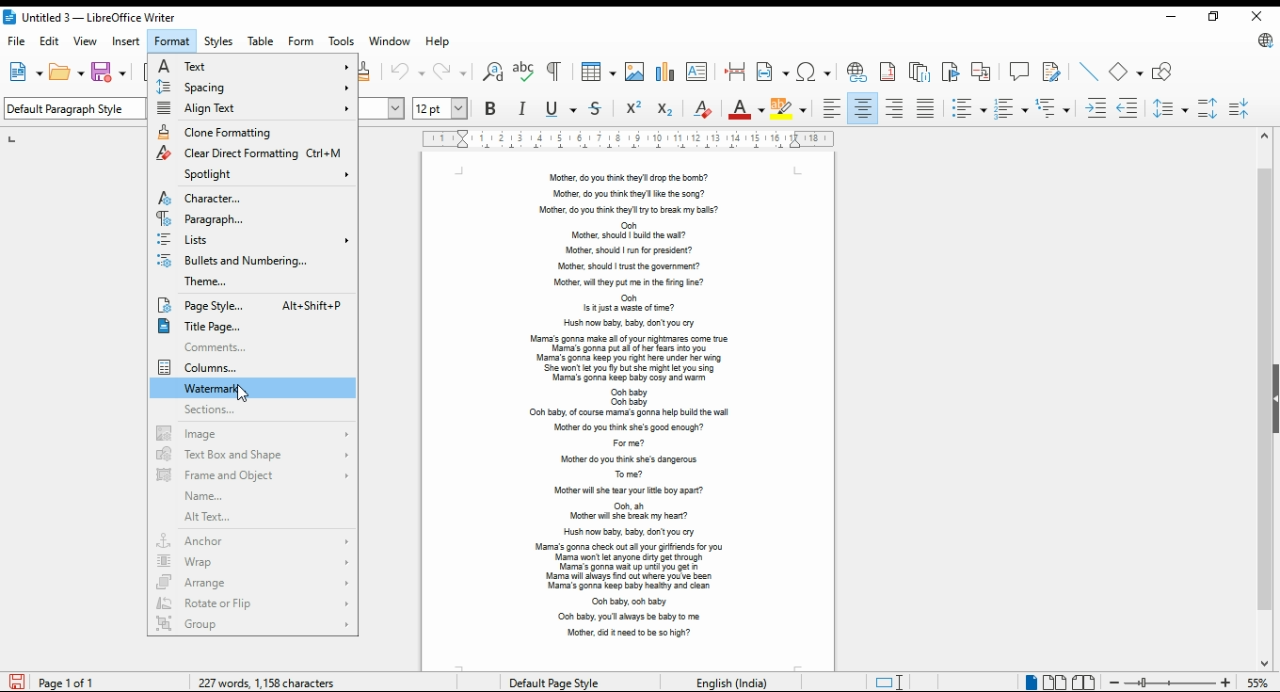  I want to click on insert special characters, so click(813, 72).